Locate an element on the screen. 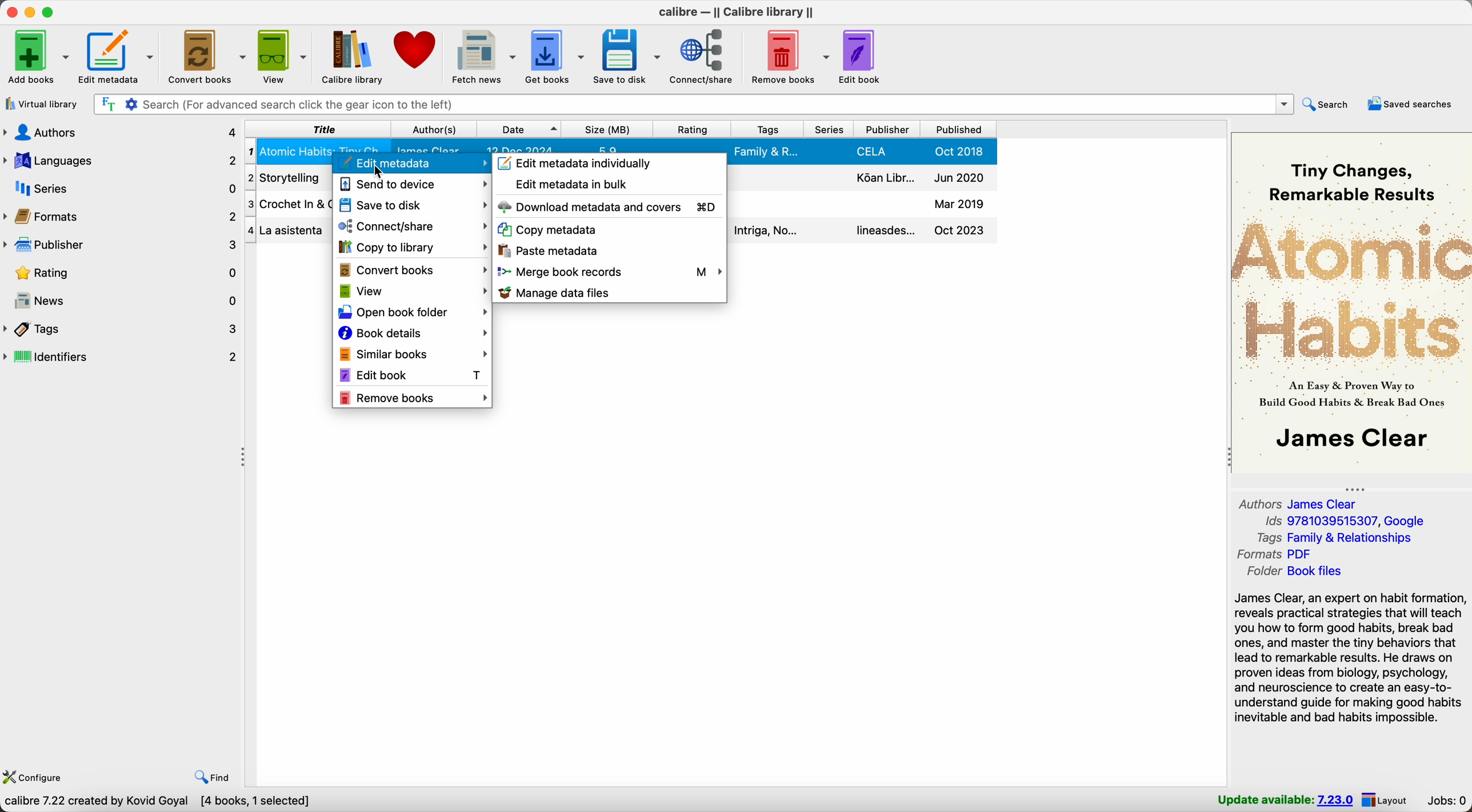  Calibre library is located at coordinates (353, 55).